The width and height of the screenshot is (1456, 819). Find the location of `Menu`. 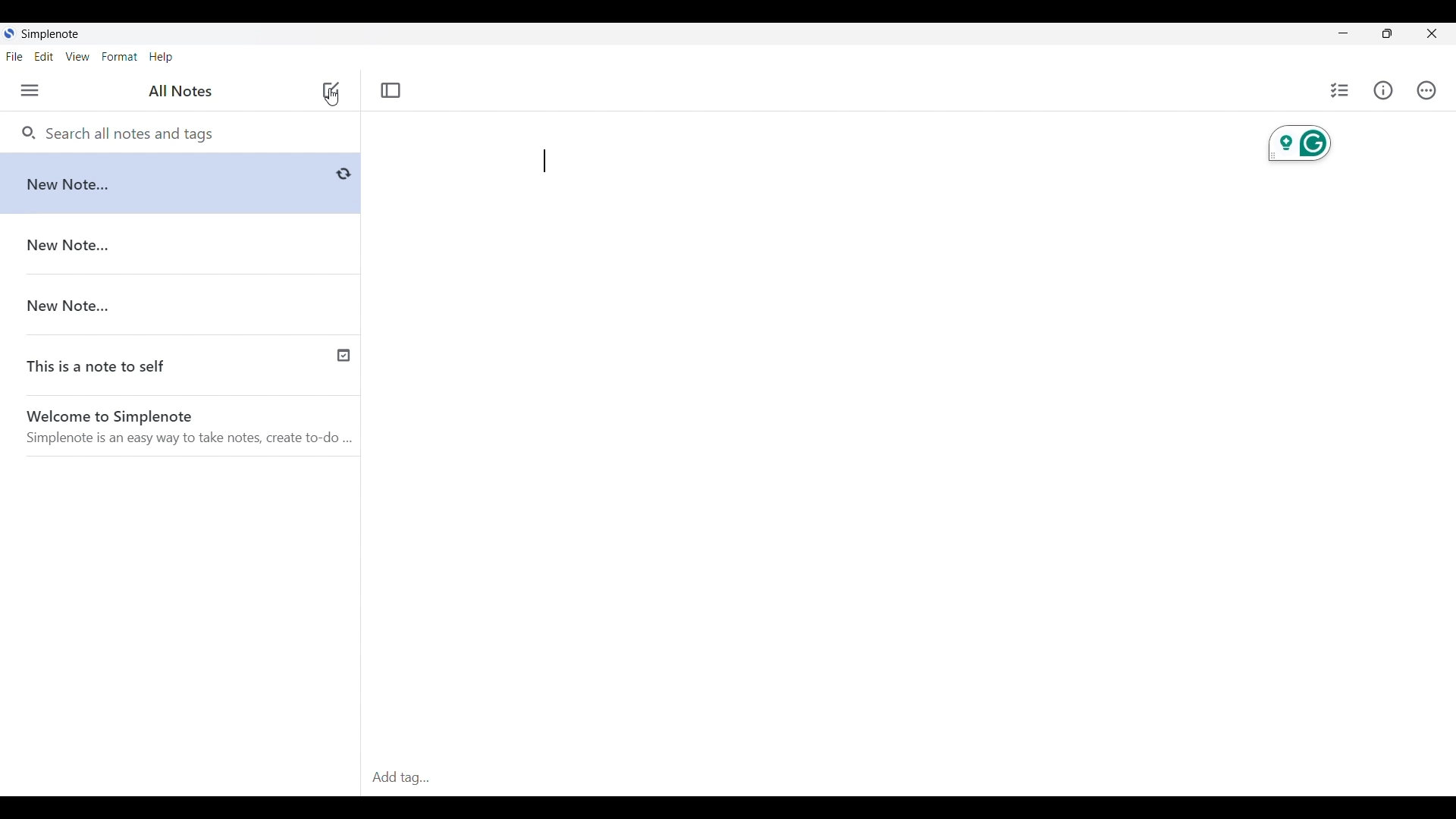

Menu is located at coordinates (29, 90).